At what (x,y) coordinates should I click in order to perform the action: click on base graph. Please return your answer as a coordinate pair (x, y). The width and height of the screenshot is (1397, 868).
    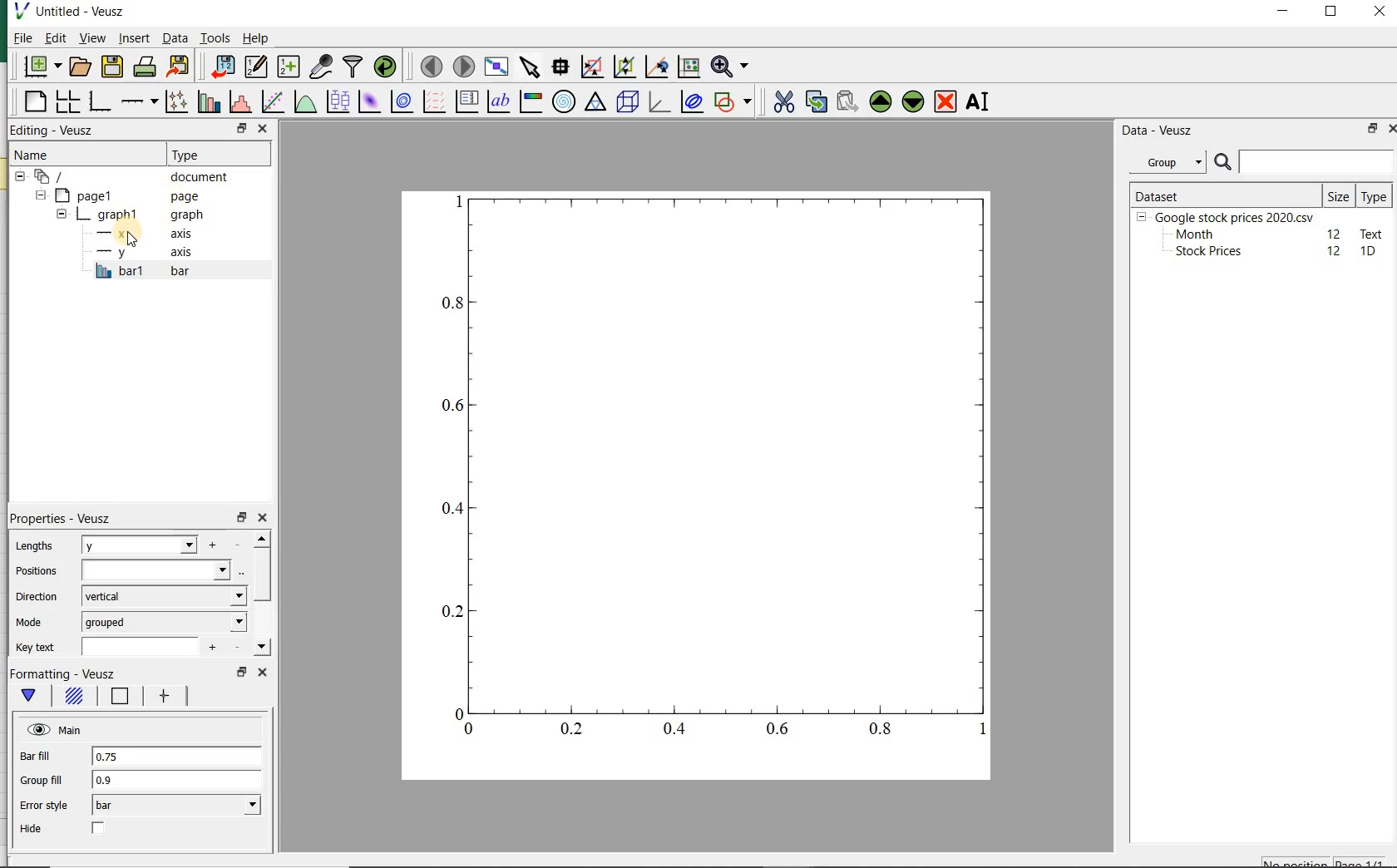
    Looking at the image, I should click on (99, 102).